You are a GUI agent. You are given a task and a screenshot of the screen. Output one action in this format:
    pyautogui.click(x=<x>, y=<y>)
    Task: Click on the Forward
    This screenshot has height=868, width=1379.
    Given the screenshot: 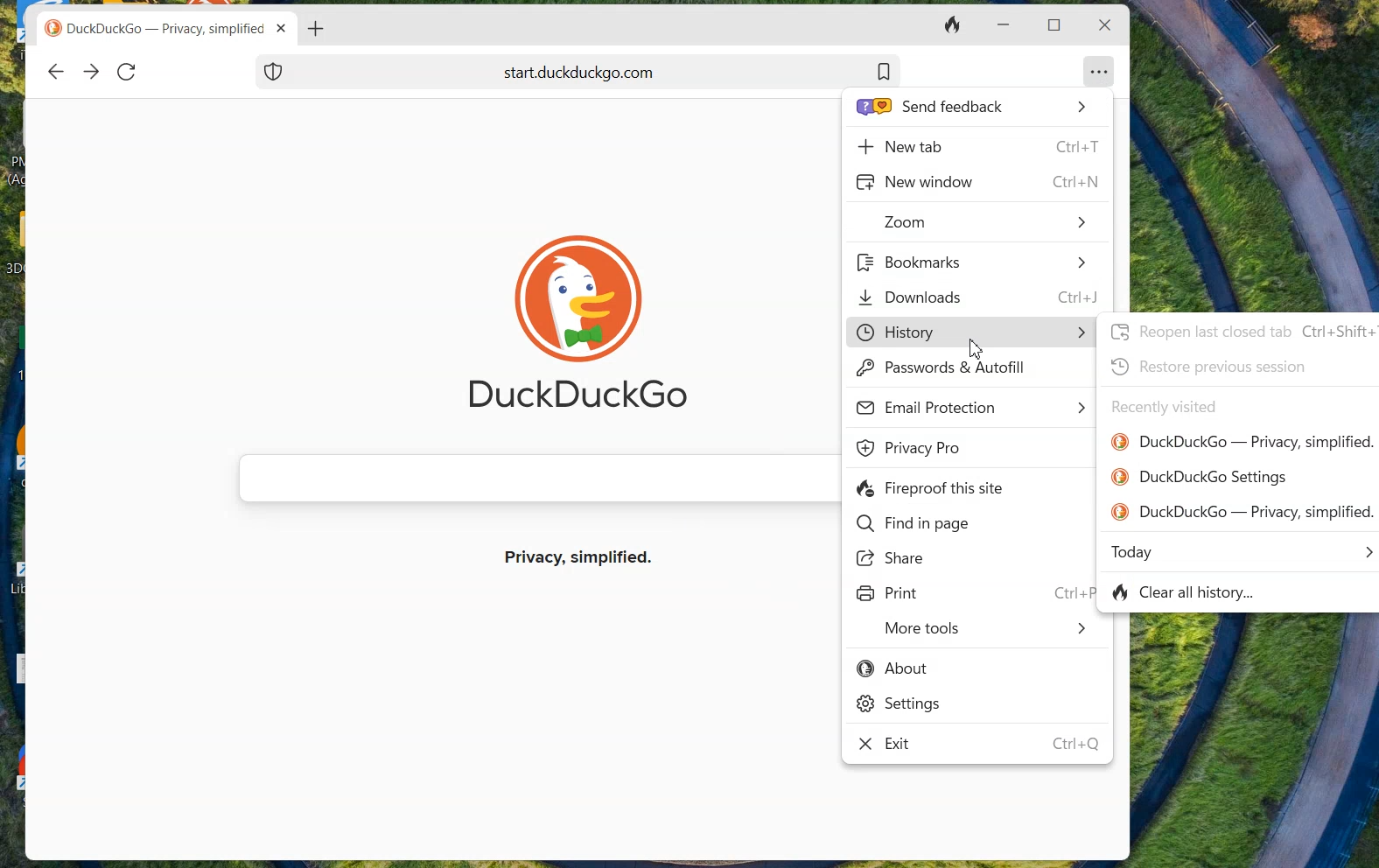 What is the action you would take?
    pyautogui.click(x=91, y=73)
    